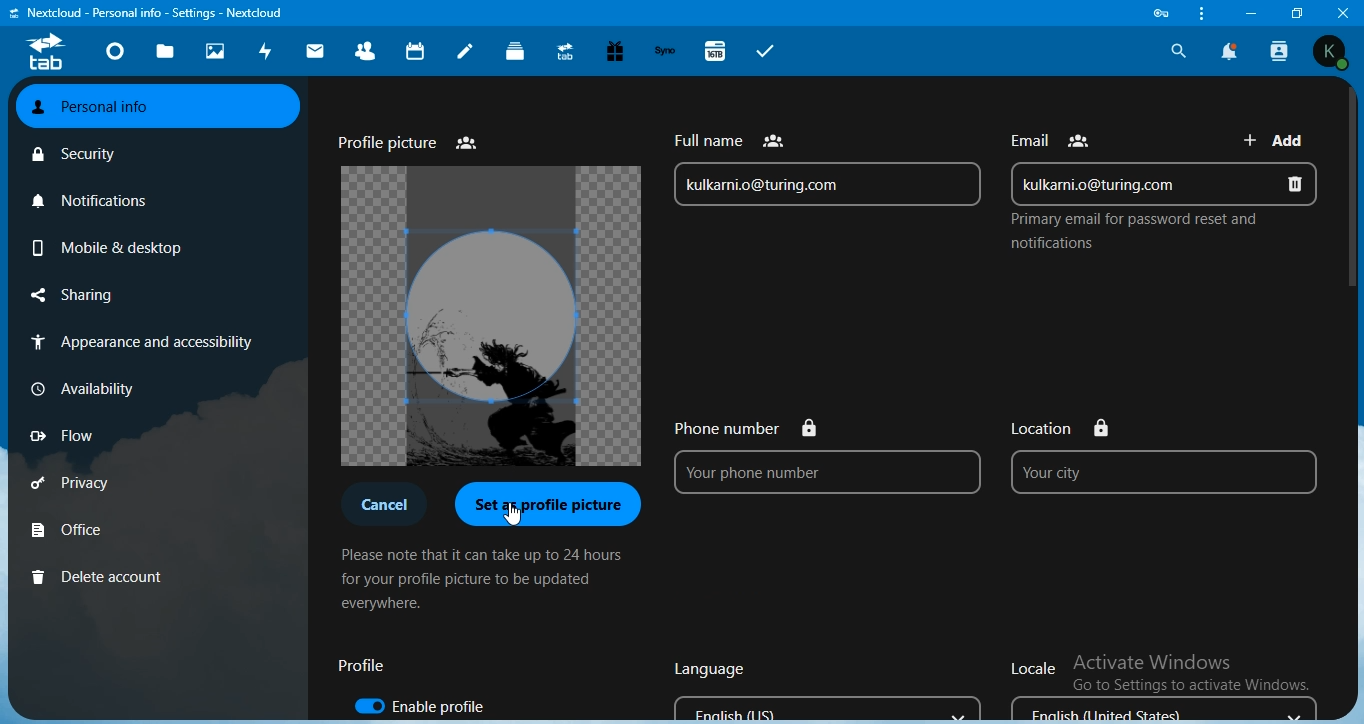 This screenshot has width=1364, height=724. I want to click on upgrade, so click(566, 52).